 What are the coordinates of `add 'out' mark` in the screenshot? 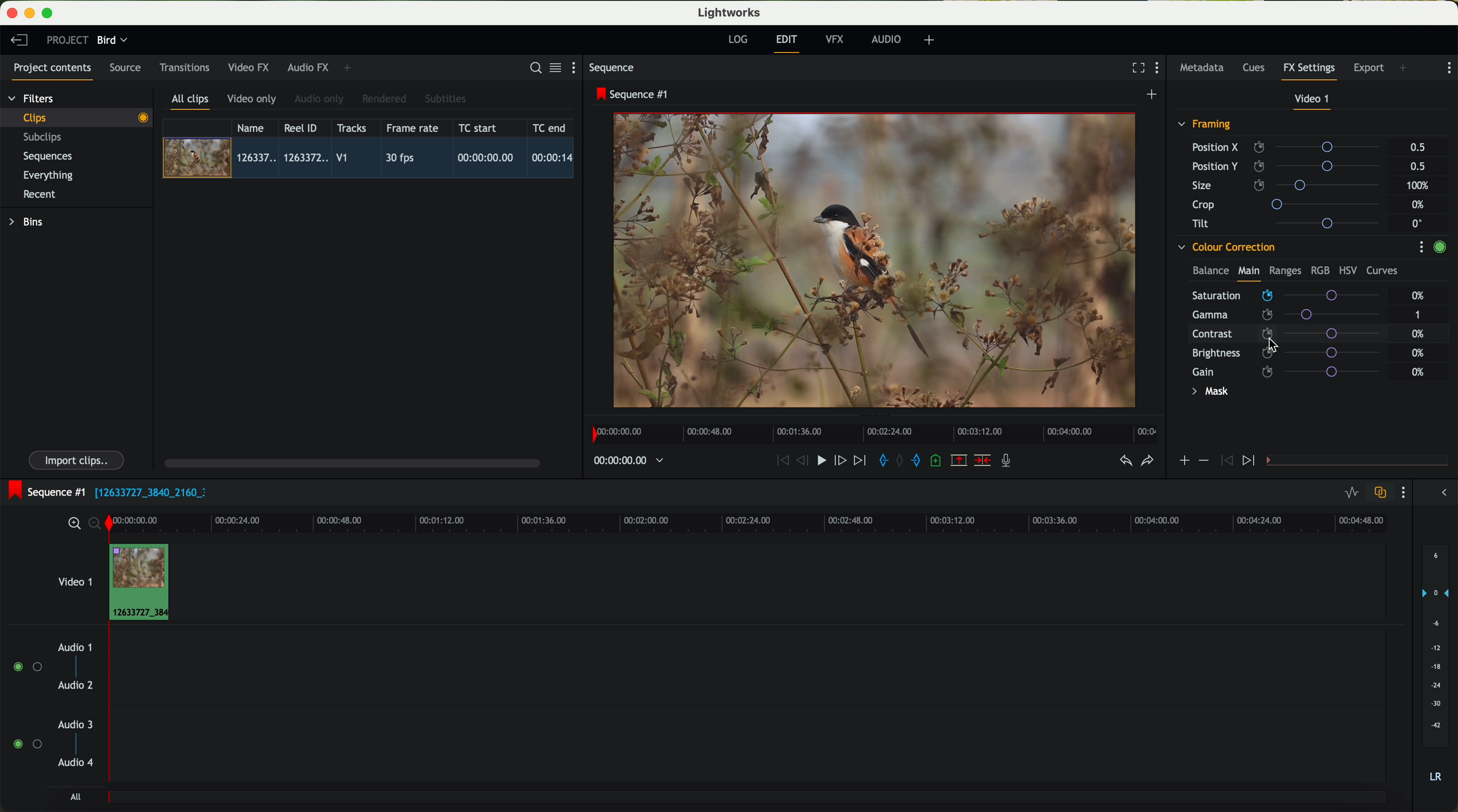 It's located at (921, 459).